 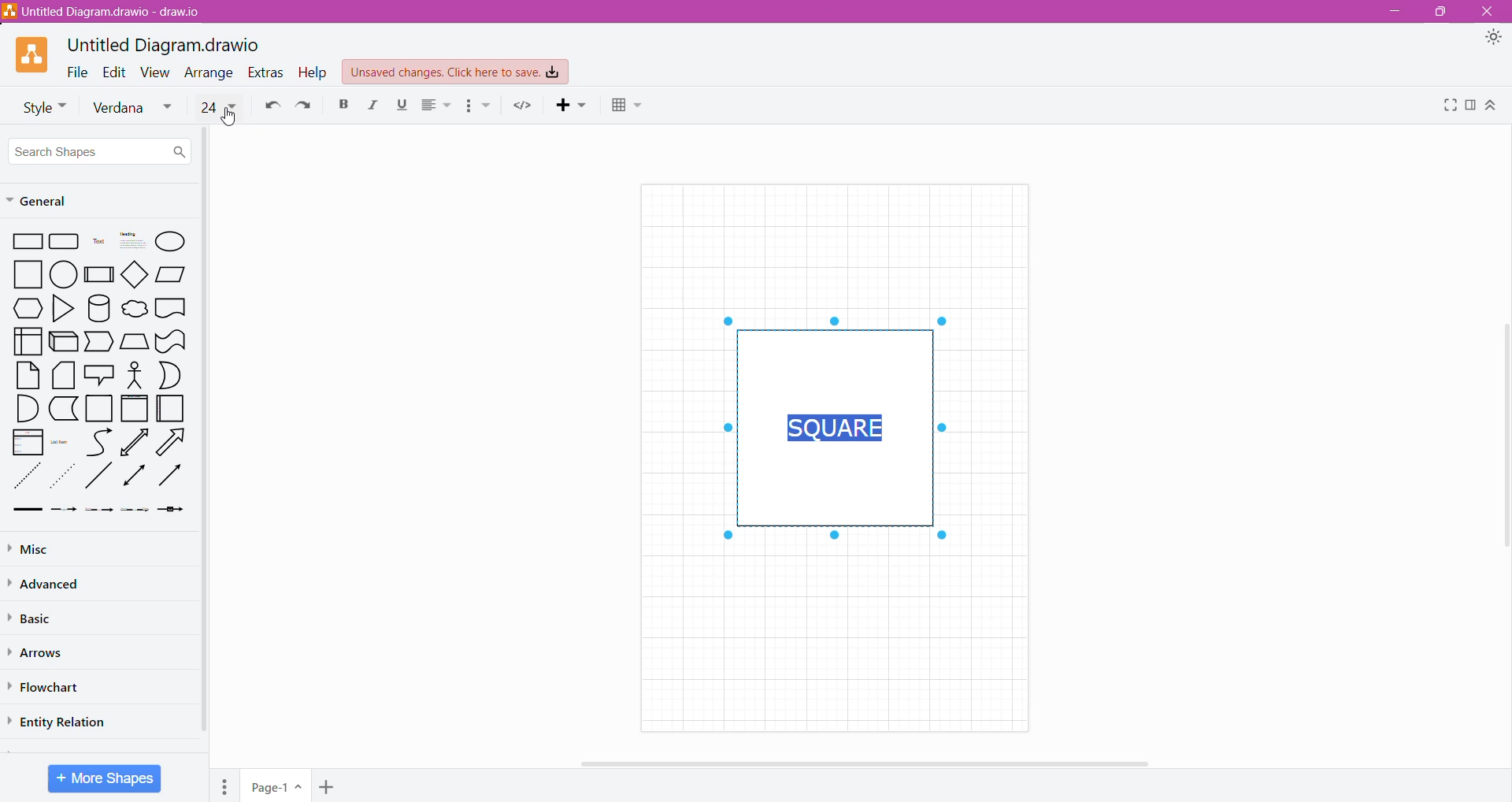 I want to click on Vertical Scroll Bar, so click(x=1503, y=436).